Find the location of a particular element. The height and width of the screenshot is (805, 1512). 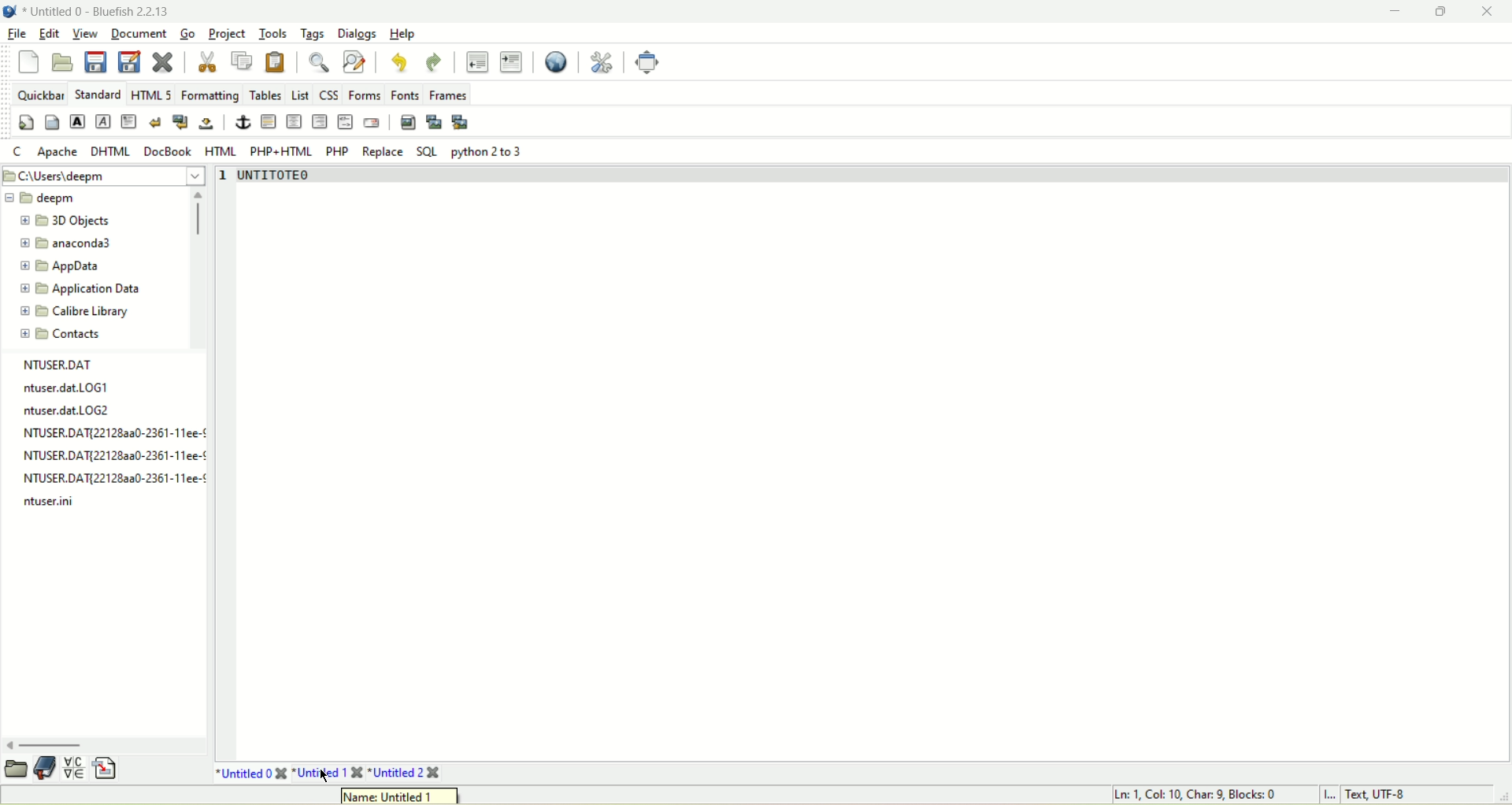

3D objects is located at coordinates (70, 218).